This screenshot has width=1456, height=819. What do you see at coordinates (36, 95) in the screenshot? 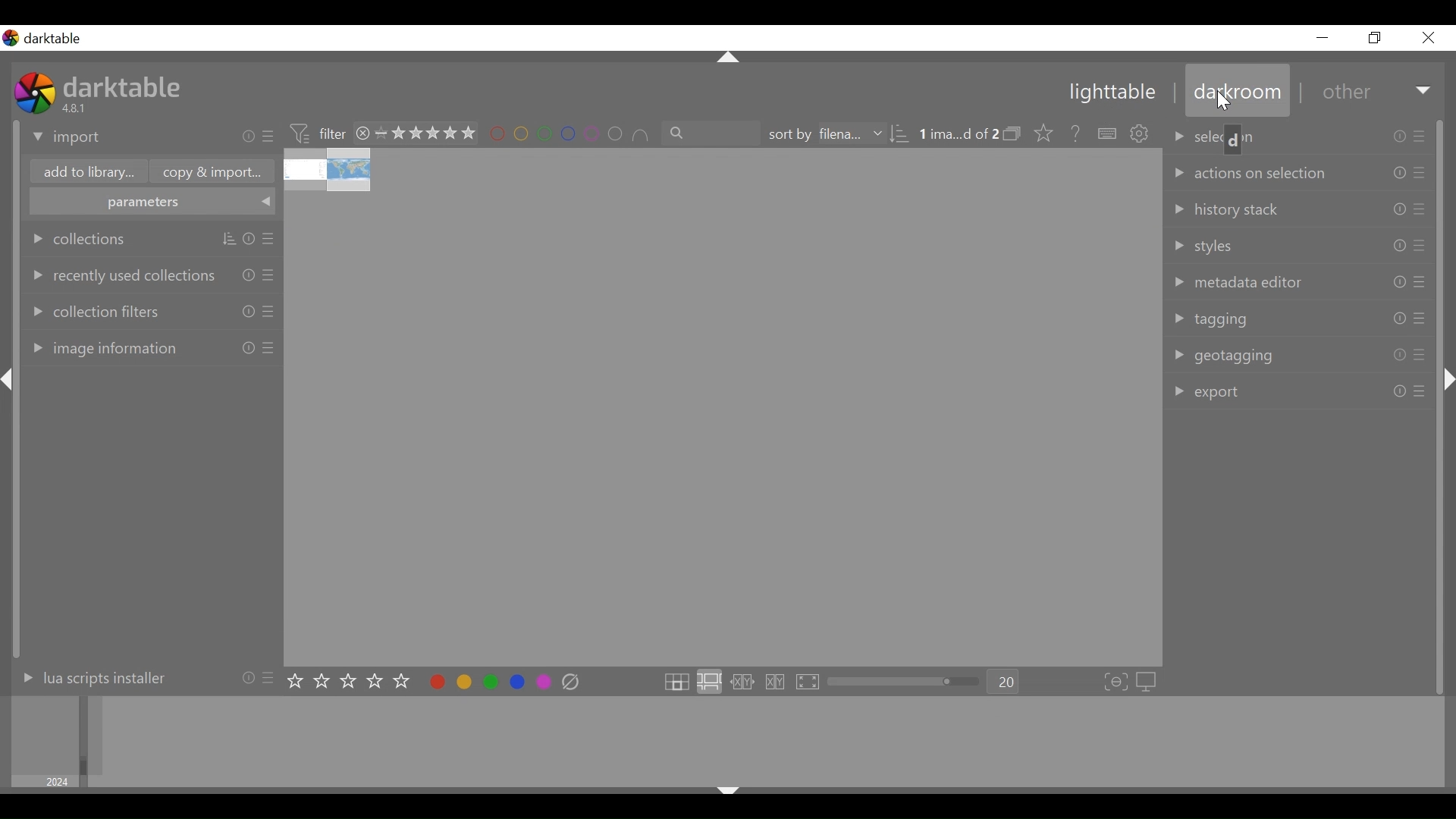
I see `Darktable Desktop Icon` at bounding box center [36, 95].